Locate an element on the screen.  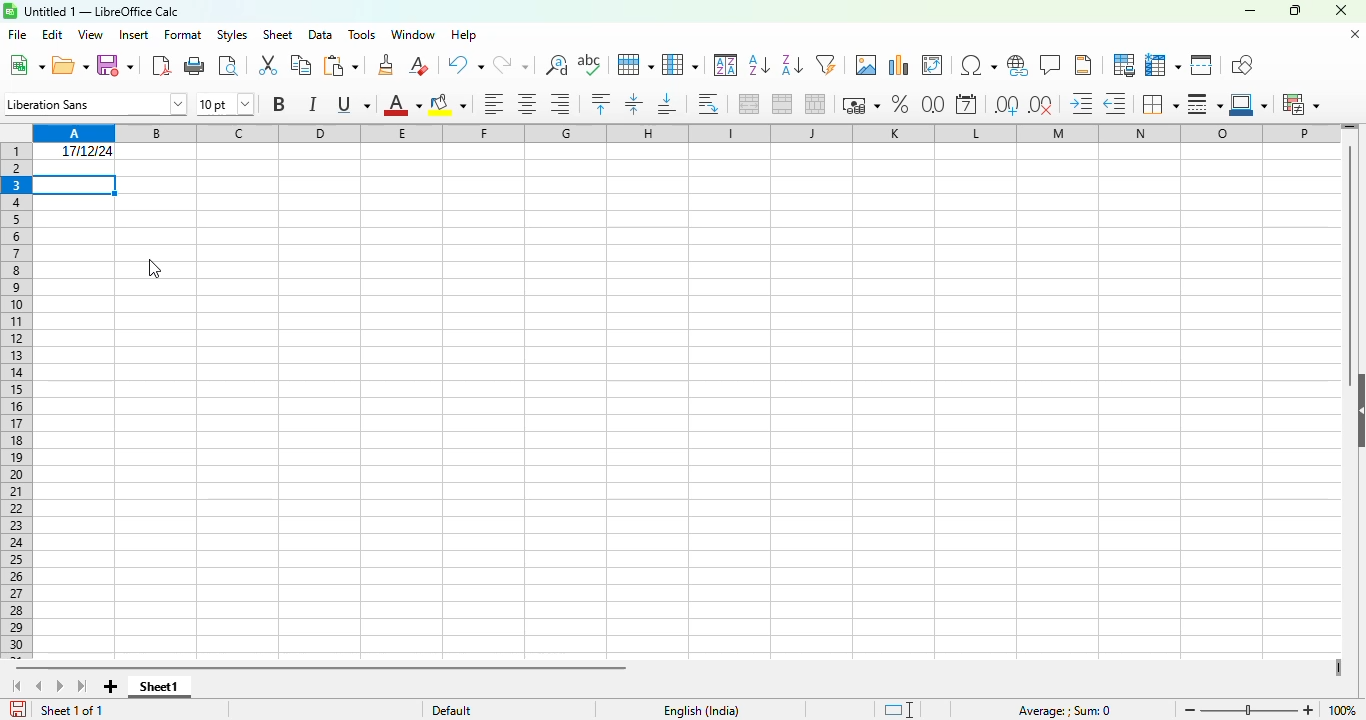
zoom factor is located at coordinates (1343, 710).